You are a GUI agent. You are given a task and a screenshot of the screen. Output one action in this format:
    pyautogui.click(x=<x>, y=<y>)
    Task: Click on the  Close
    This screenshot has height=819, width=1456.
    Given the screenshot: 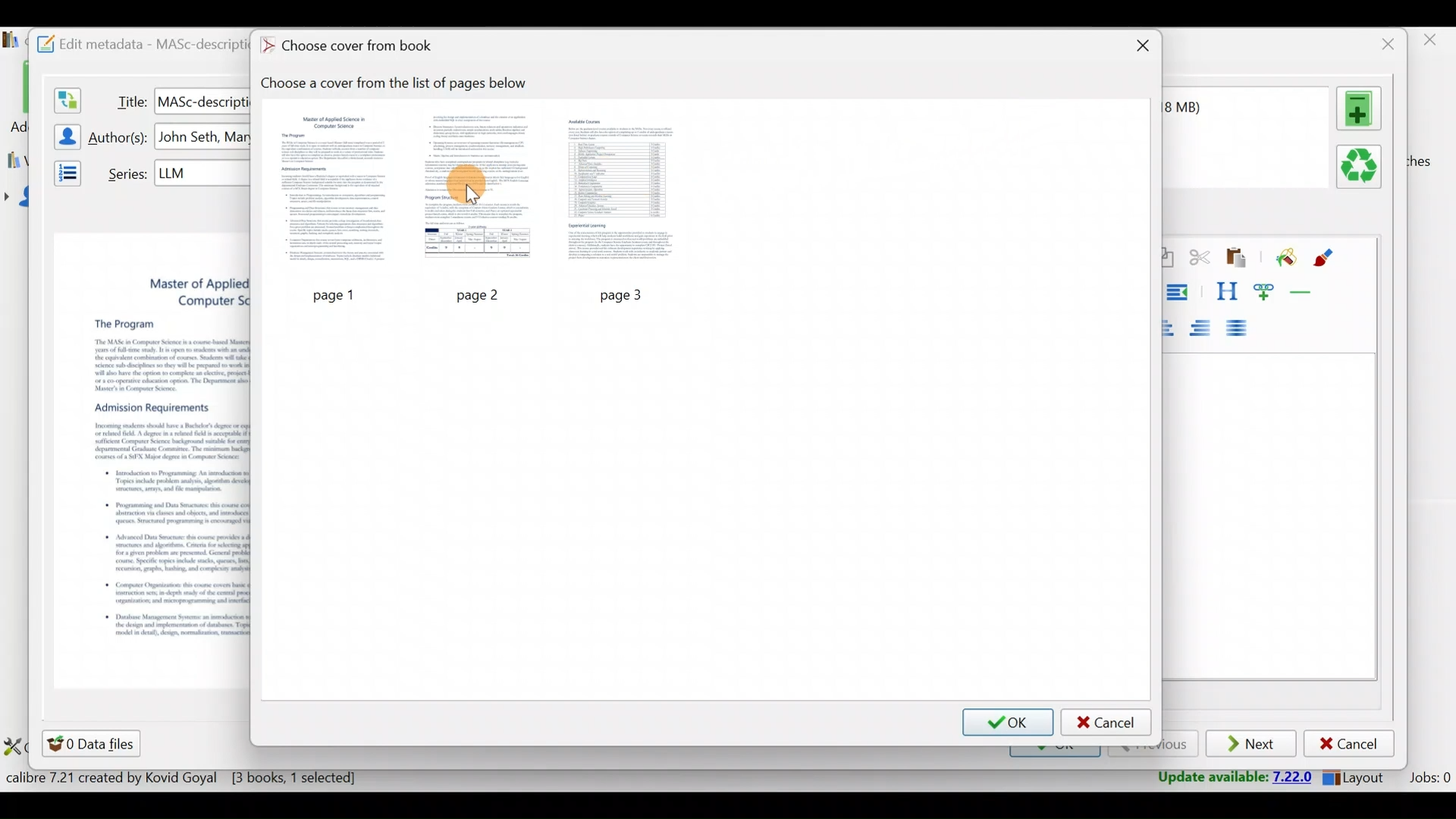 What is the action you would take?
    pyautogui.click(x=1432, y=44)
    